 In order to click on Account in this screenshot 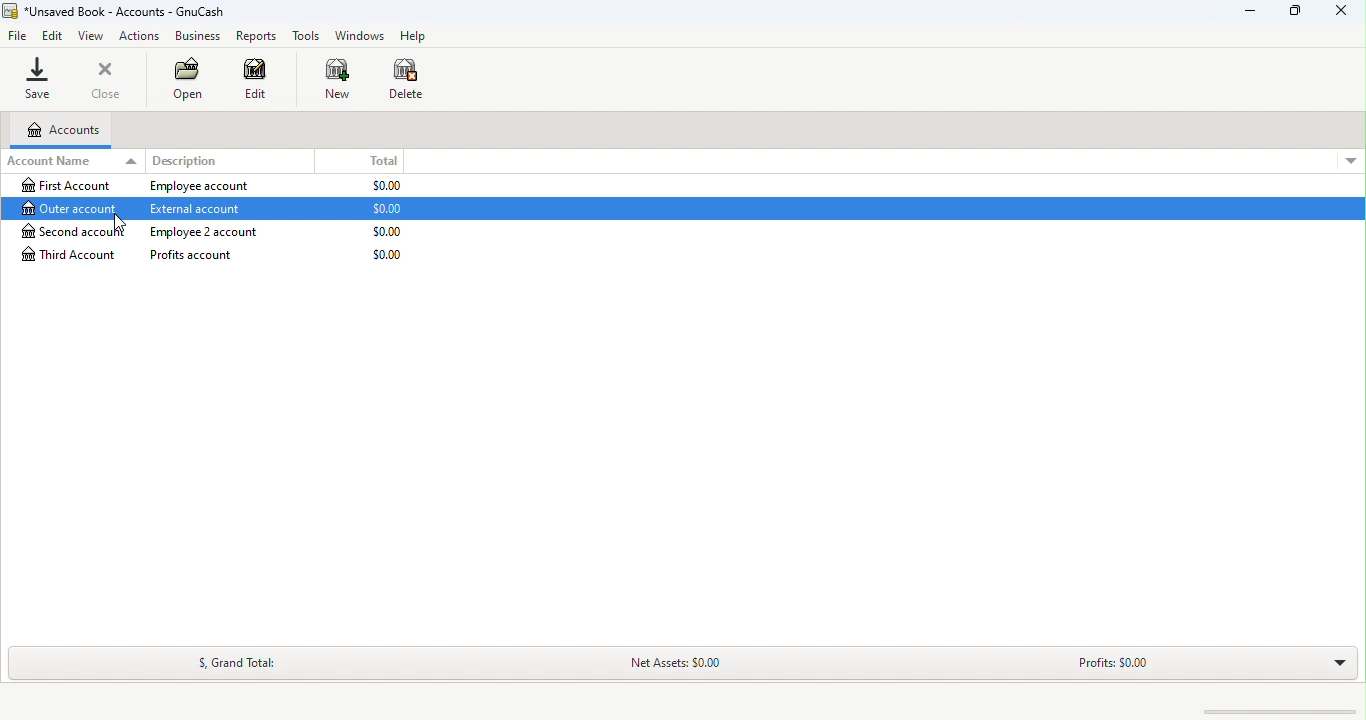, I will do `click(61, 130)`.